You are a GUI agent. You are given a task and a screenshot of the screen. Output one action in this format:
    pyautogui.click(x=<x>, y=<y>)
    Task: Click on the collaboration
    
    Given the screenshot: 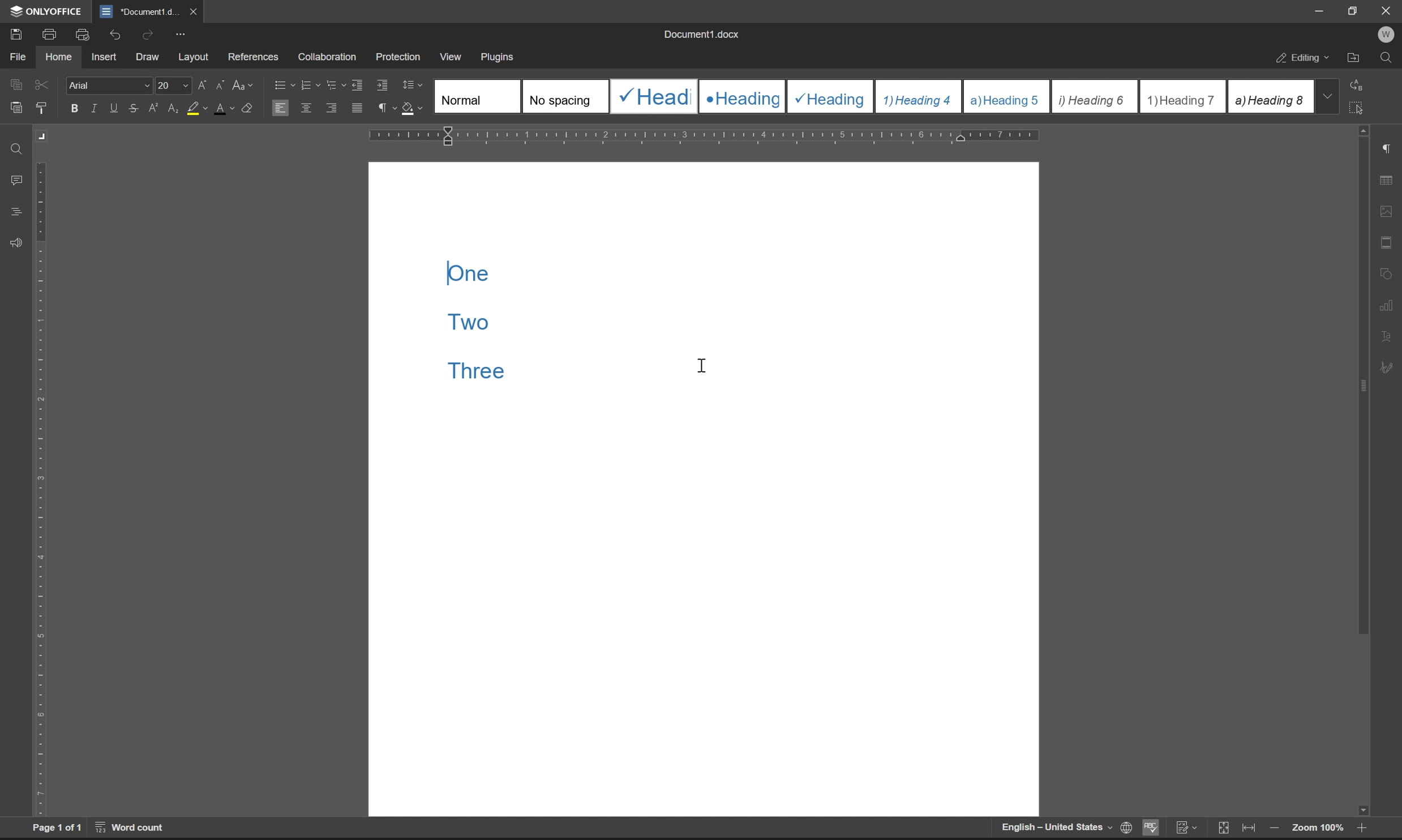 What is the action you would take?
    pyautogui.click(x=331, y=57)
    